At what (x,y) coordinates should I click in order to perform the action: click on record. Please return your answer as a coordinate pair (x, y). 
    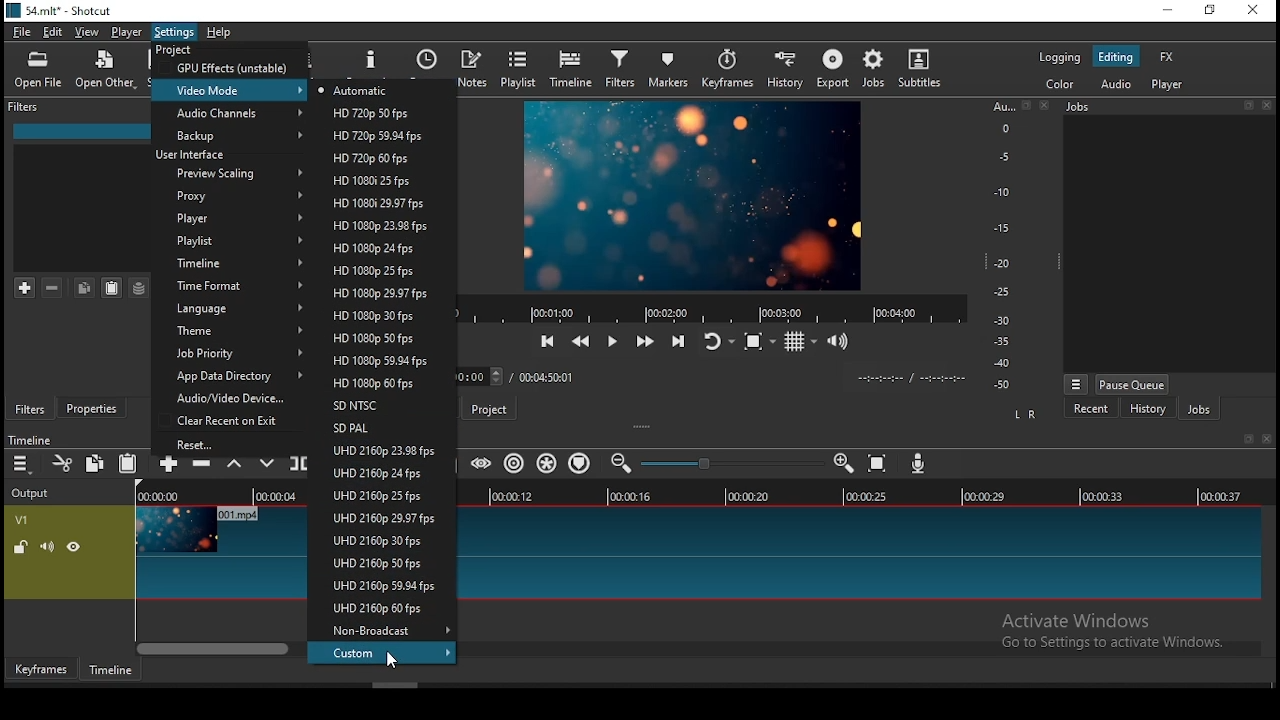
    Looking at the image, I should click on (706, 310).